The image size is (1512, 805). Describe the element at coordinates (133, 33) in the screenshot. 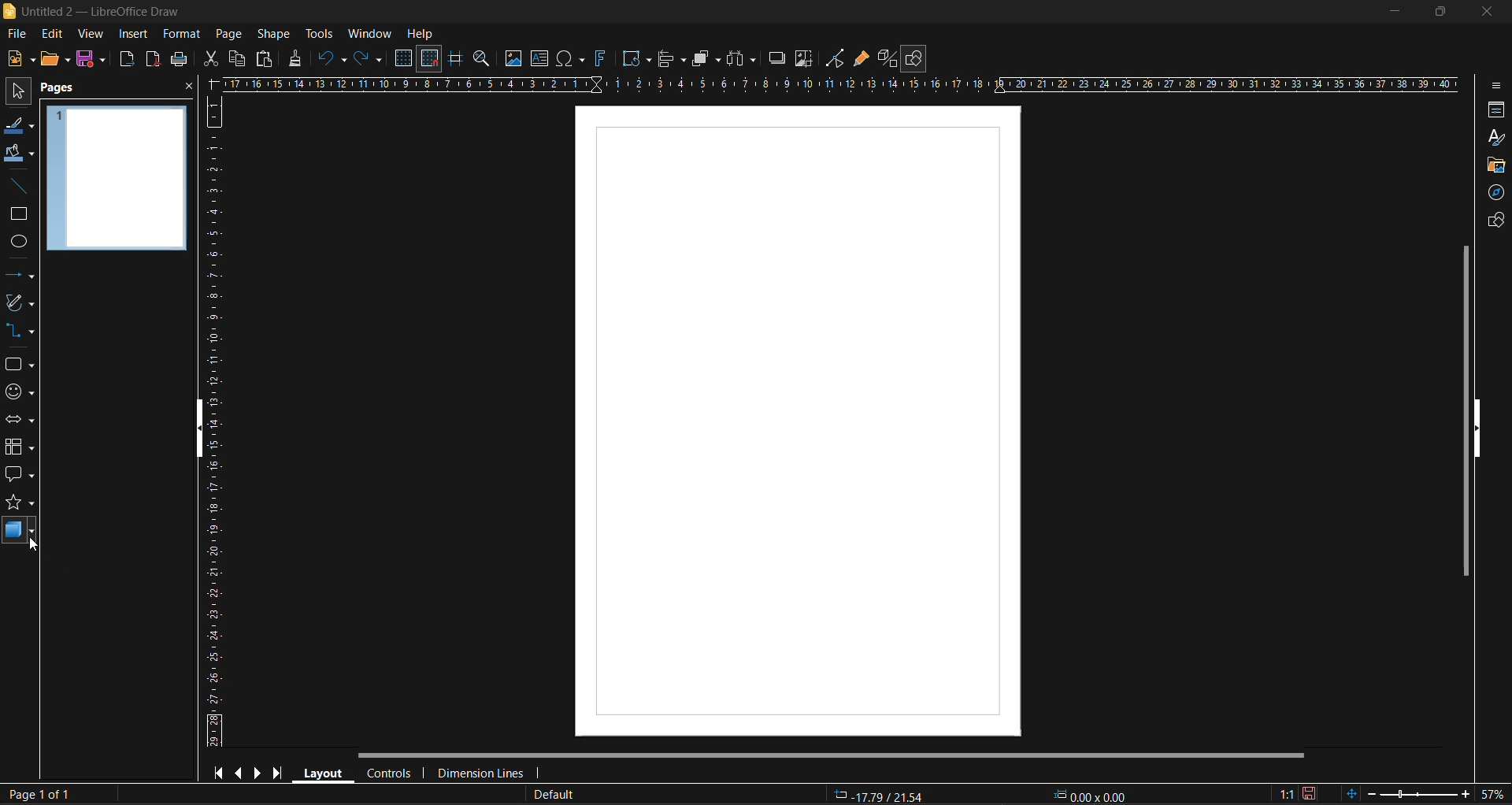

I see `insert` at that location.